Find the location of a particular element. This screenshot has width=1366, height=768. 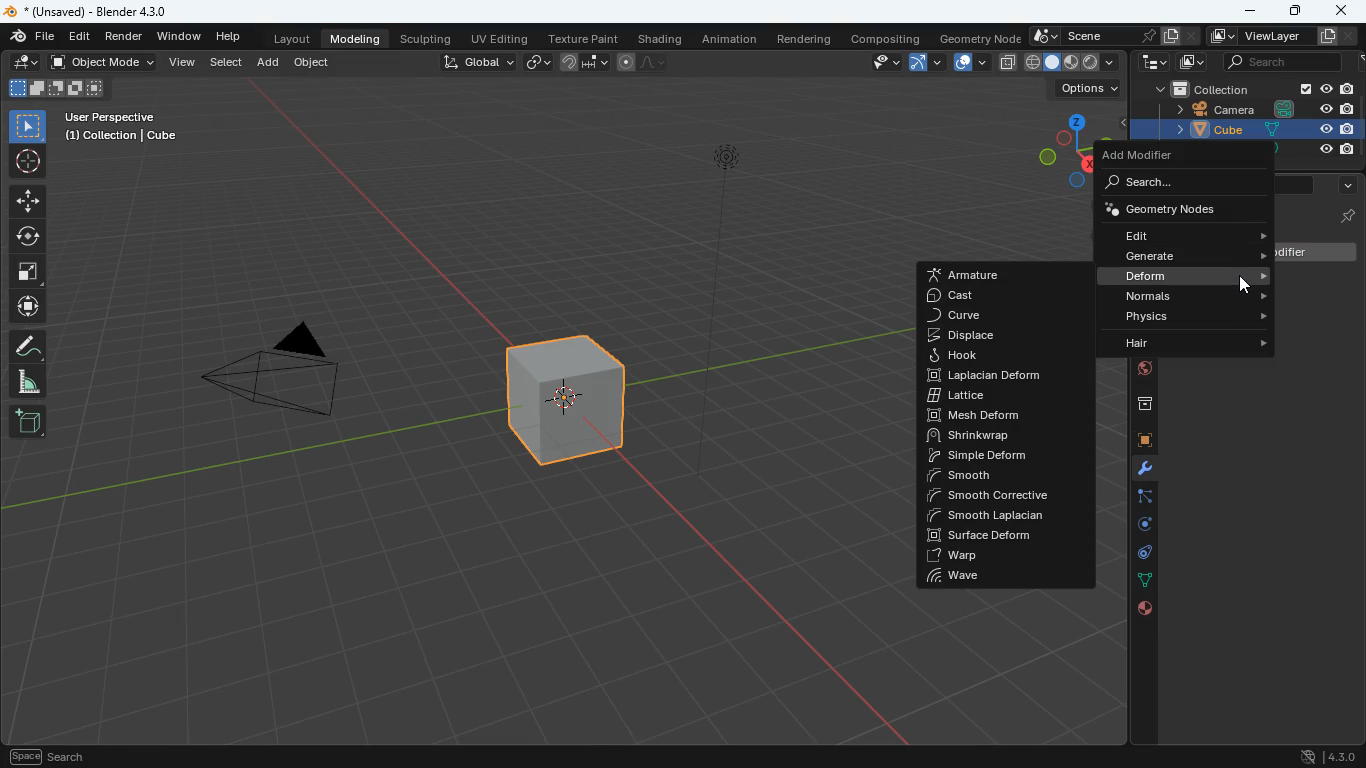

select is located at coordinates (31, 124).